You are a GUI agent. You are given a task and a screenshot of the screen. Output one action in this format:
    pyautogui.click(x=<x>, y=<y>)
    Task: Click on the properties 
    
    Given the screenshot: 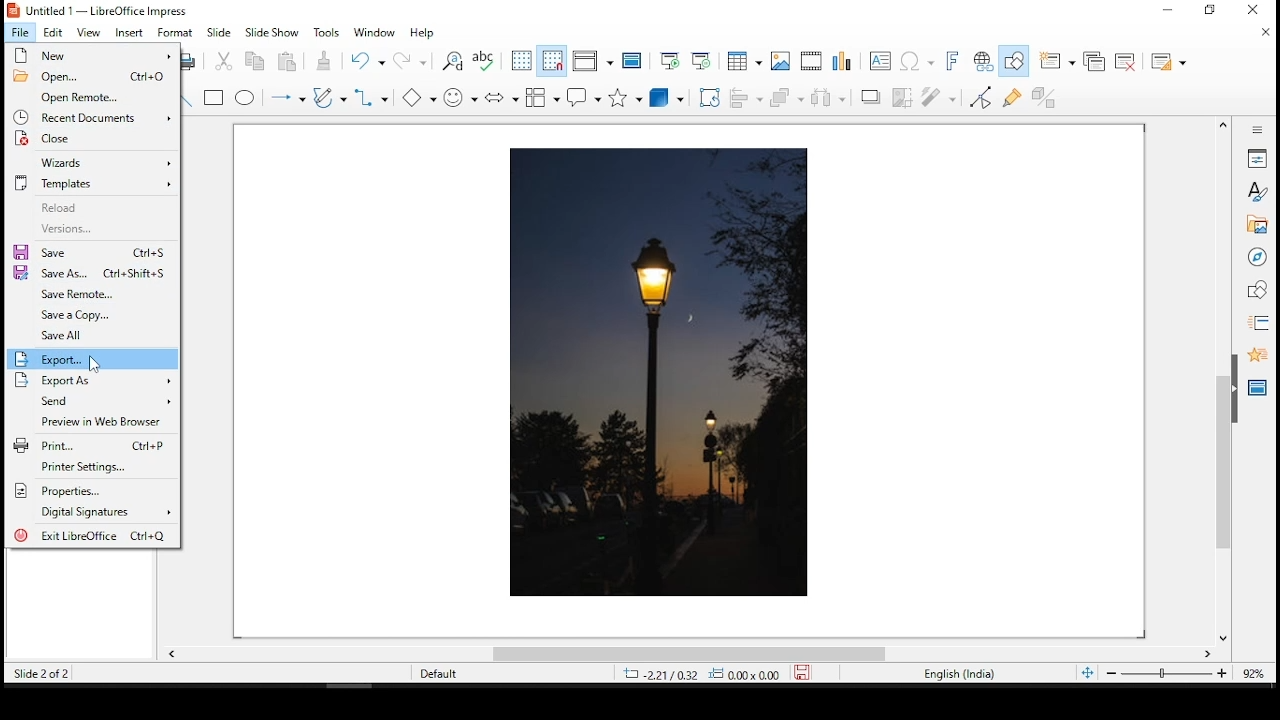 What is the action you would take?
    pyautogui.click(x=1257, y=157)
    